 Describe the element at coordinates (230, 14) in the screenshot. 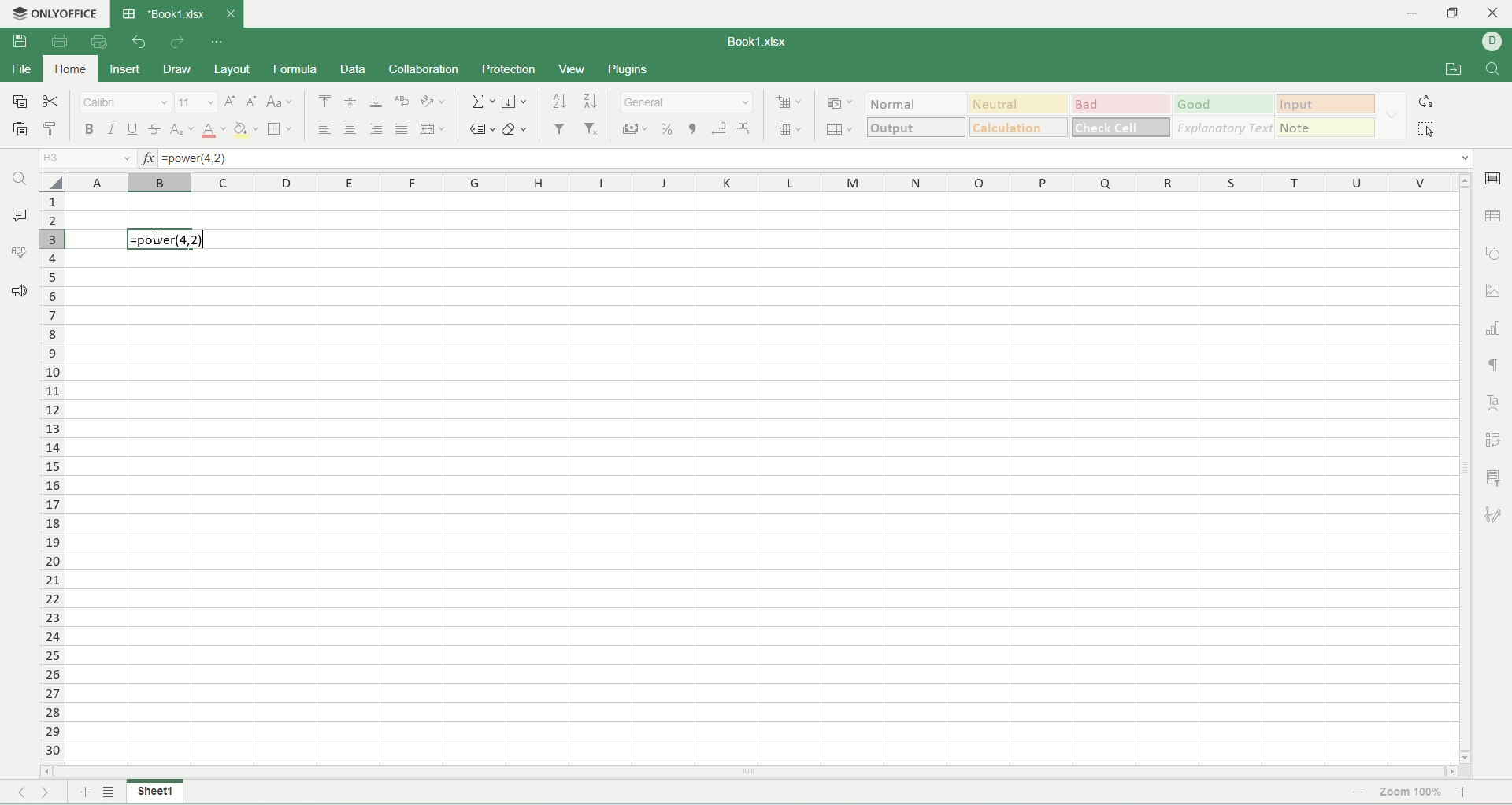

I see `close` at that location.